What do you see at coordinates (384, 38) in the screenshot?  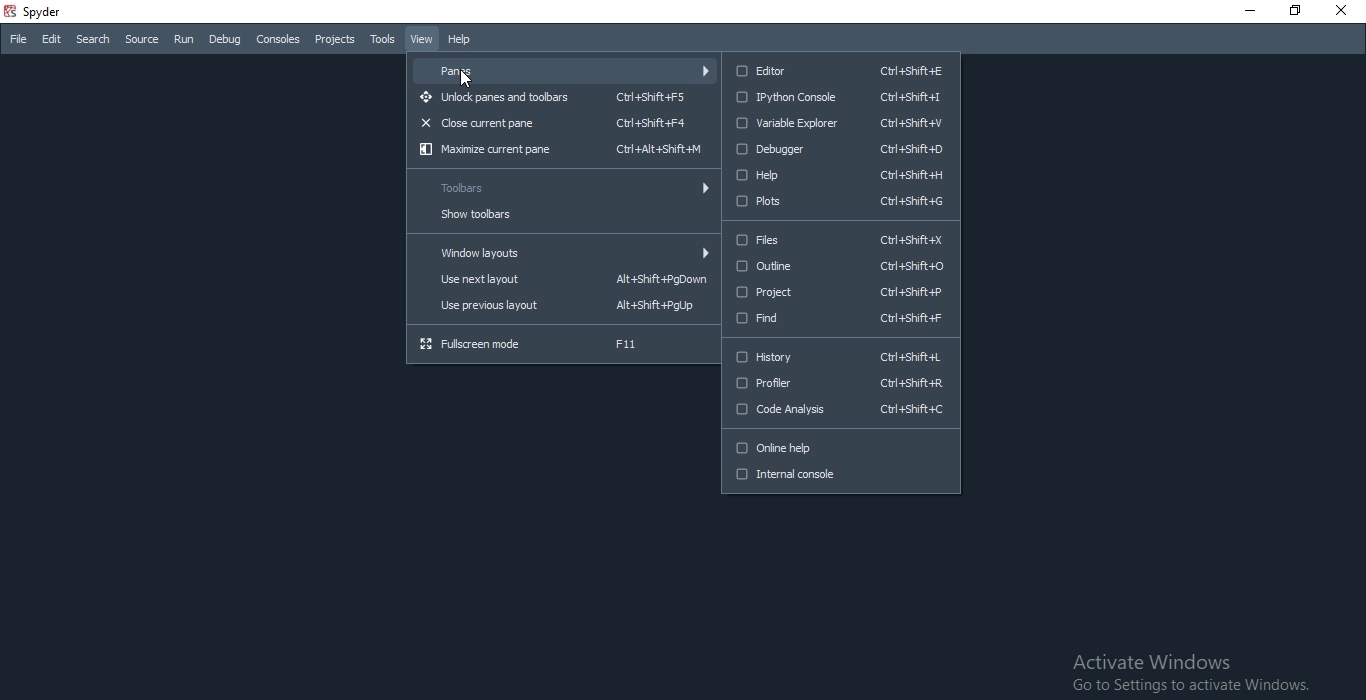 I see `Tools` at bounding box center [384, 38].